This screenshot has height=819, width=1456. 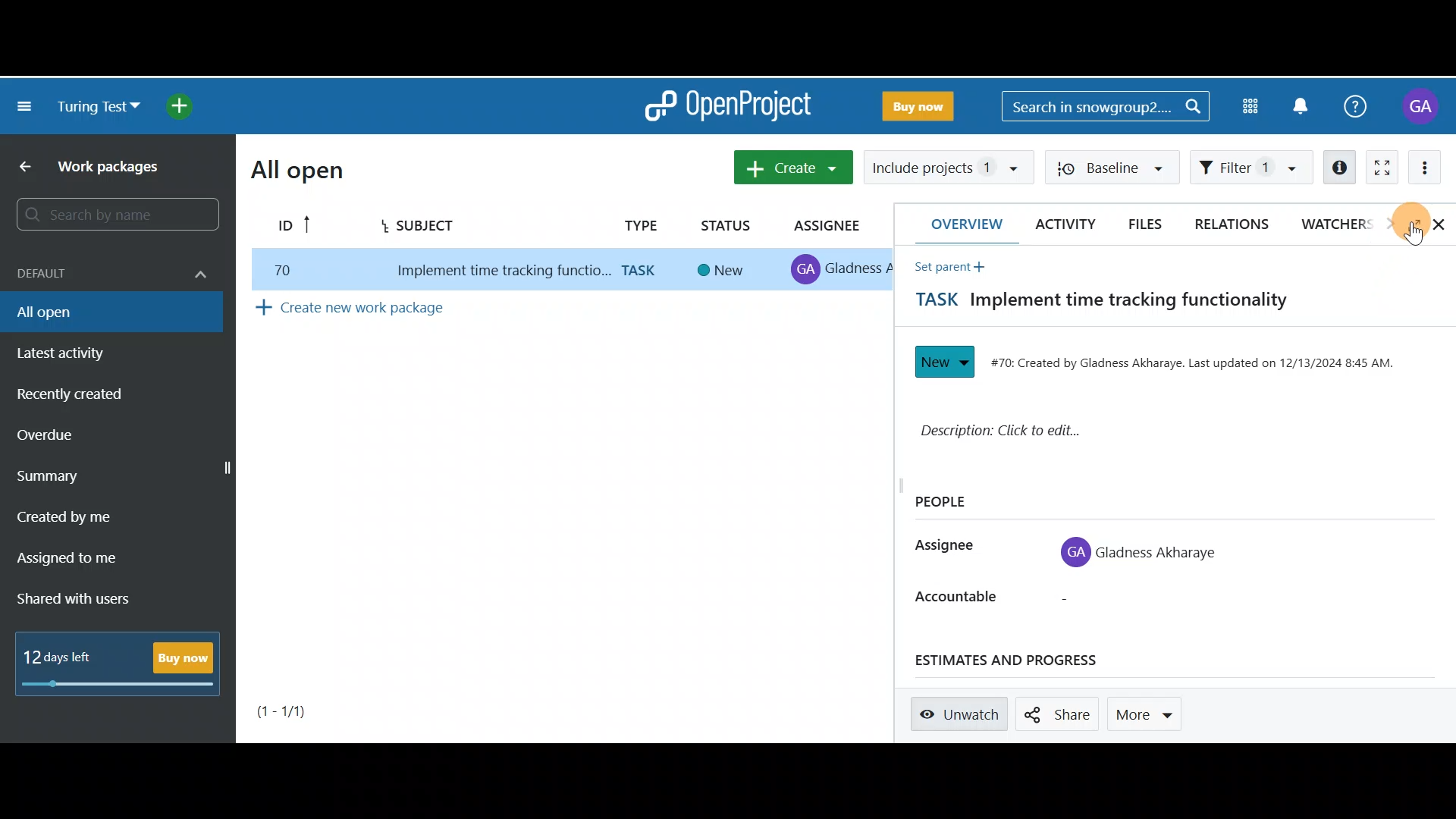 I want to click on Notification centre, so click(x=1302, y=105).